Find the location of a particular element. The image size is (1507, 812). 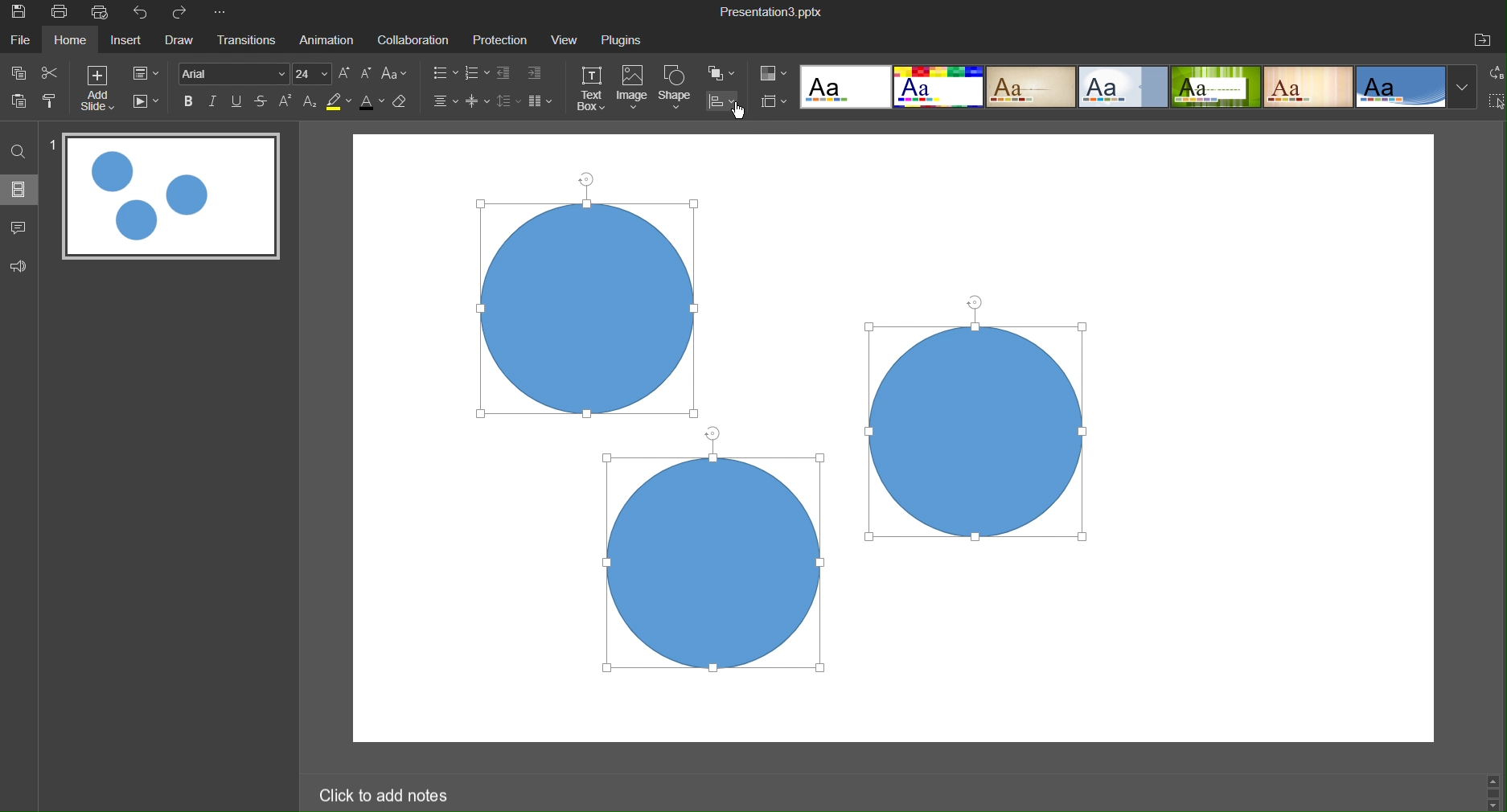

Font size is located at coordinates (316, 73).